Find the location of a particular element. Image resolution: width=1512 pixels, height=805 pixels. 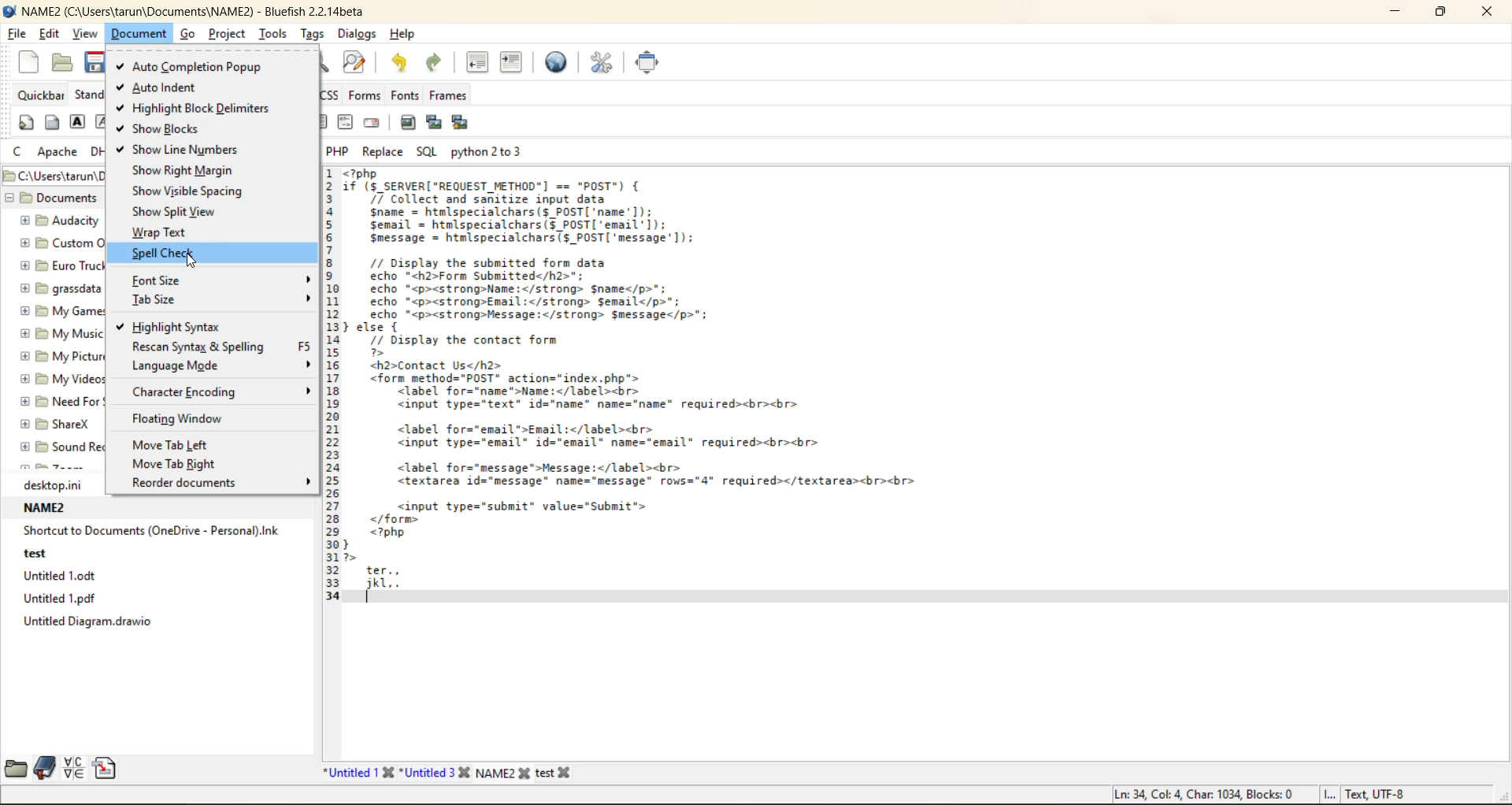

file name and app name is located at coordinates (188, 10).